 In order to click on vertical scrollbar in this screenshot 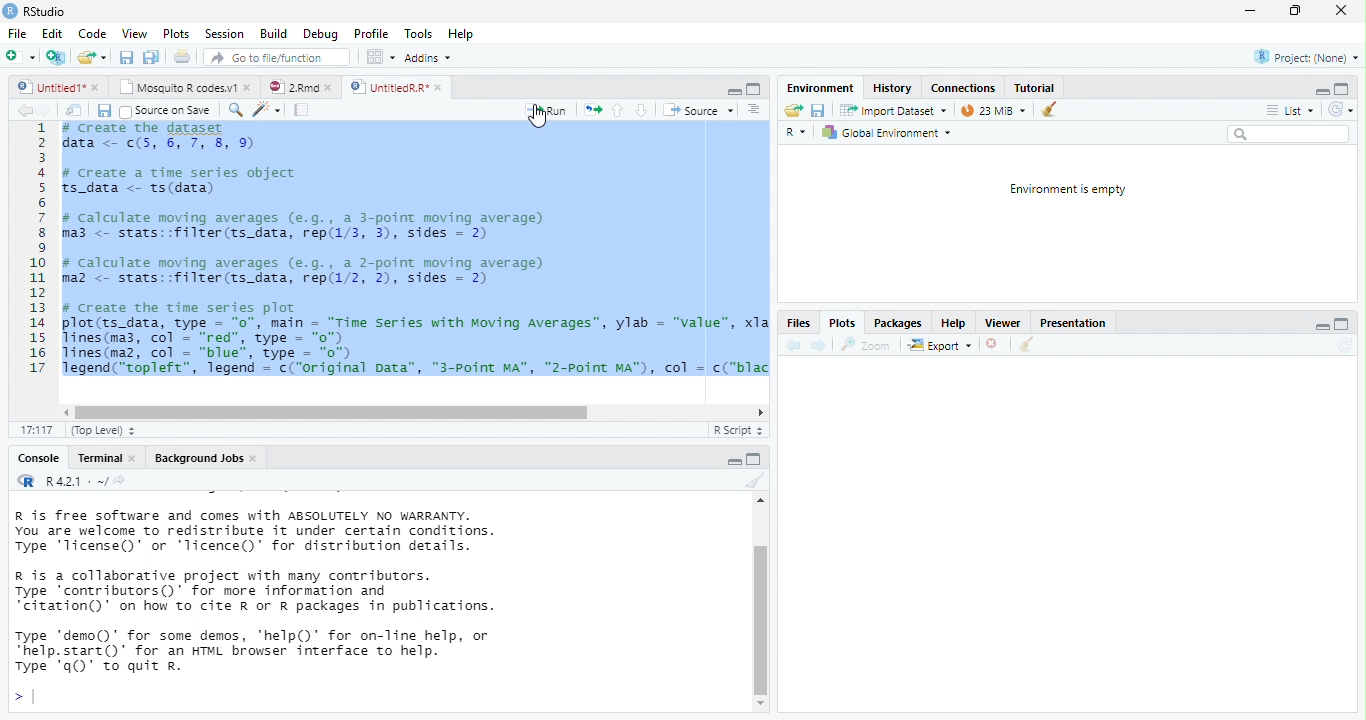, I will do `click(761, 619)`.